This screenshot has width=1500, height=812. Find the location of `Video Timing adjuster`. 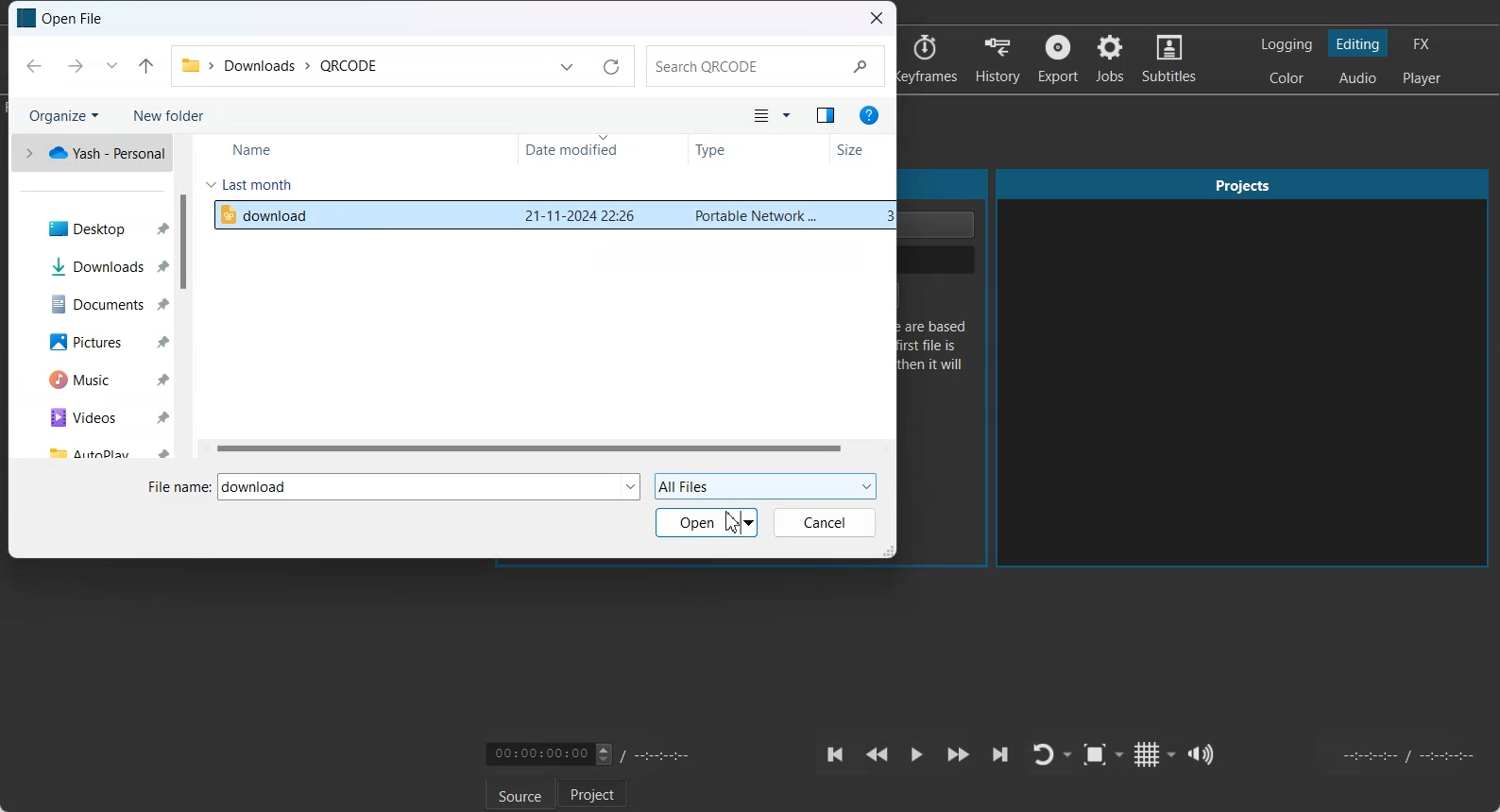

Video Timing adjuster is located at coordinates (550, 754).